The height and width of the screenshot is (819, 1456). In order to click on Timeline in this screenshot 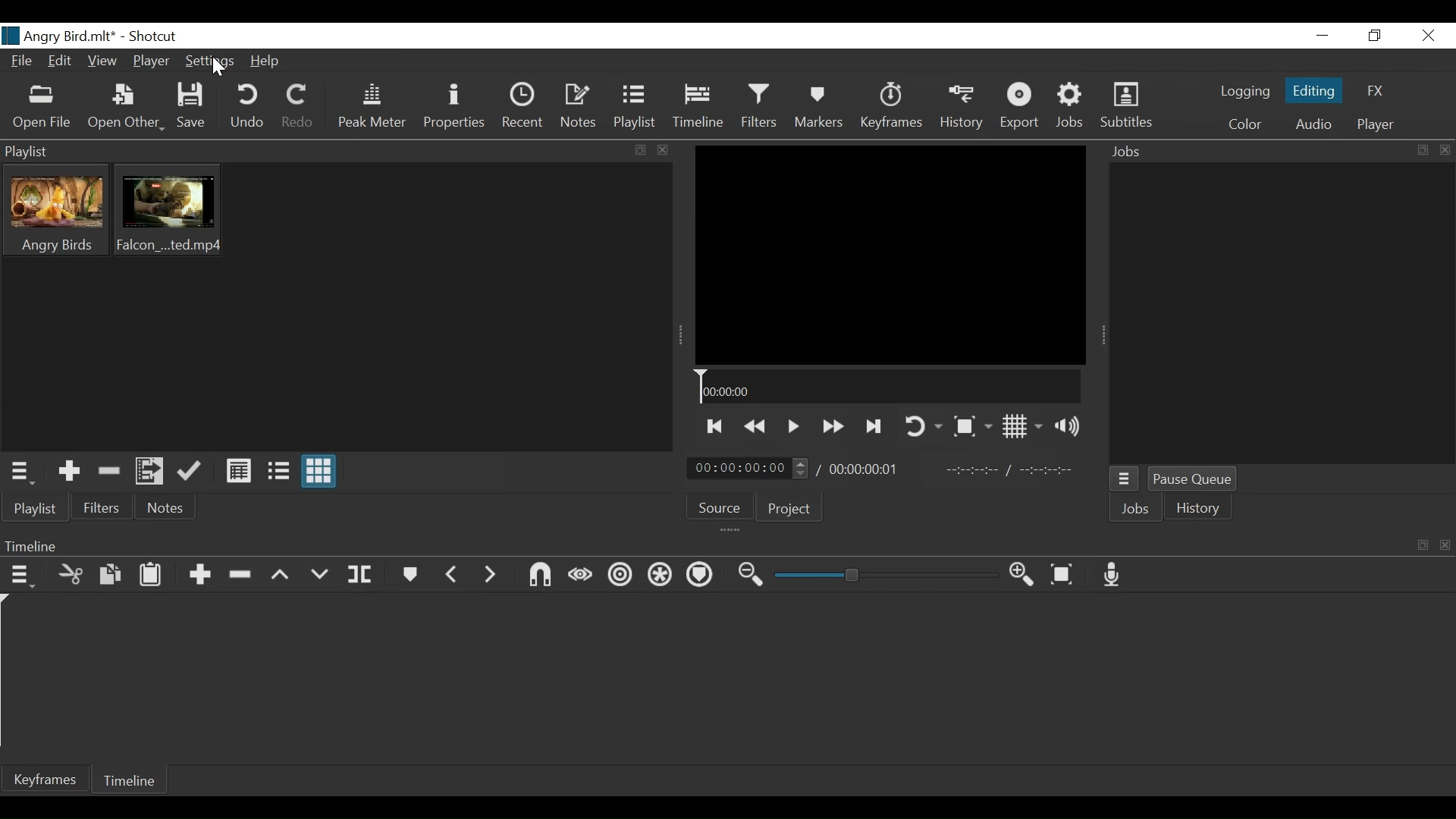, I will do `click(131, 780)`.